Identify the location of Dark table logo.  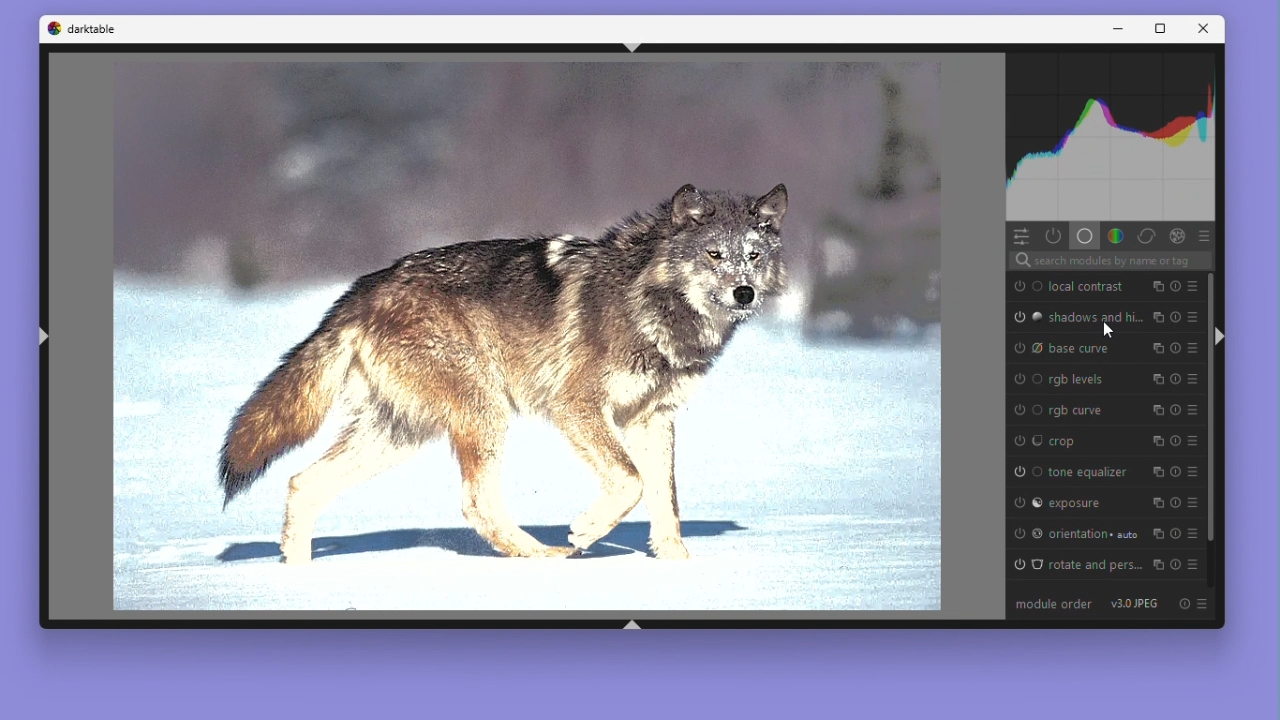
(51, 30).